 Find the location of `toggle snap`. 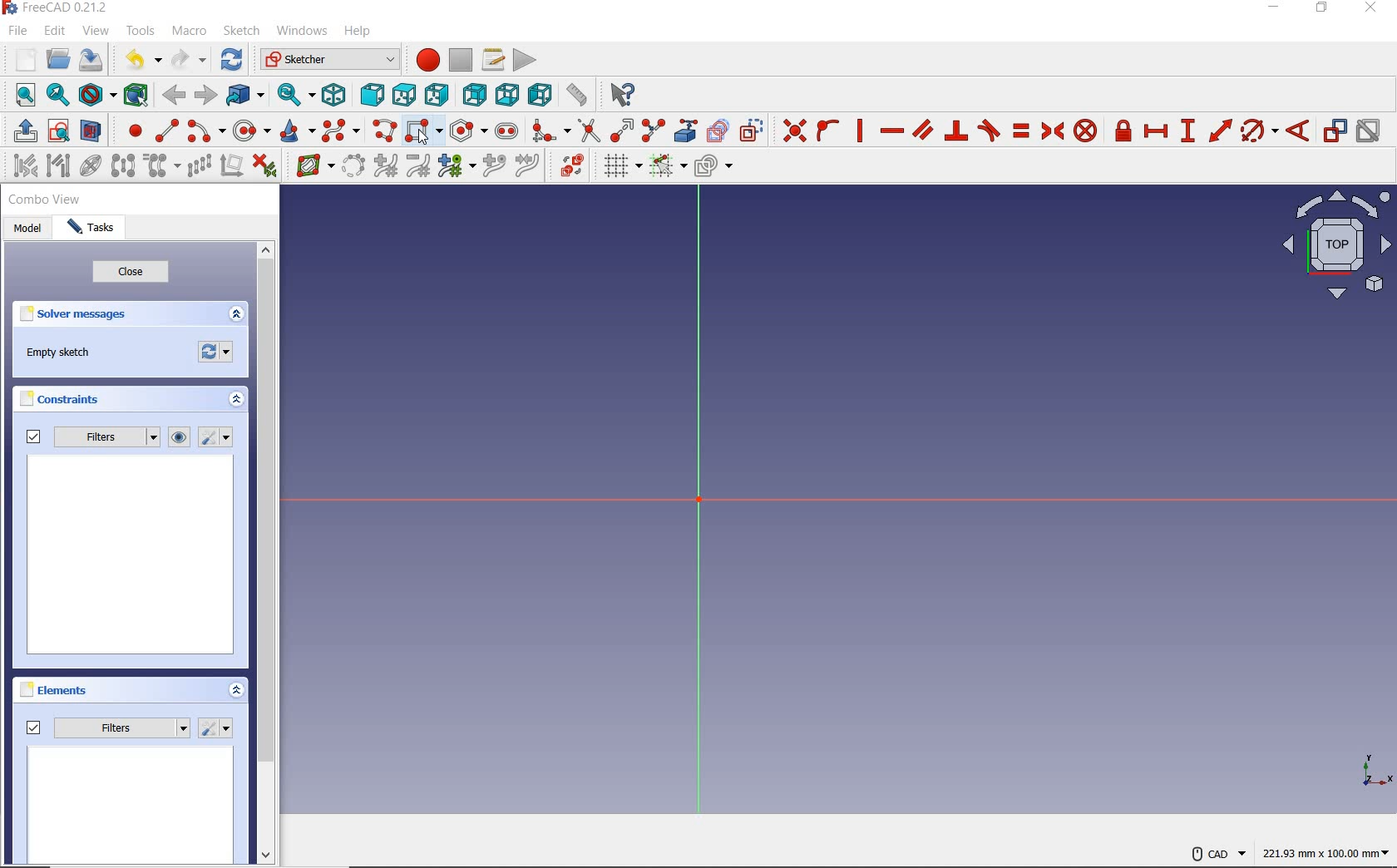

toggle snap is located at coordinates (667, 167).